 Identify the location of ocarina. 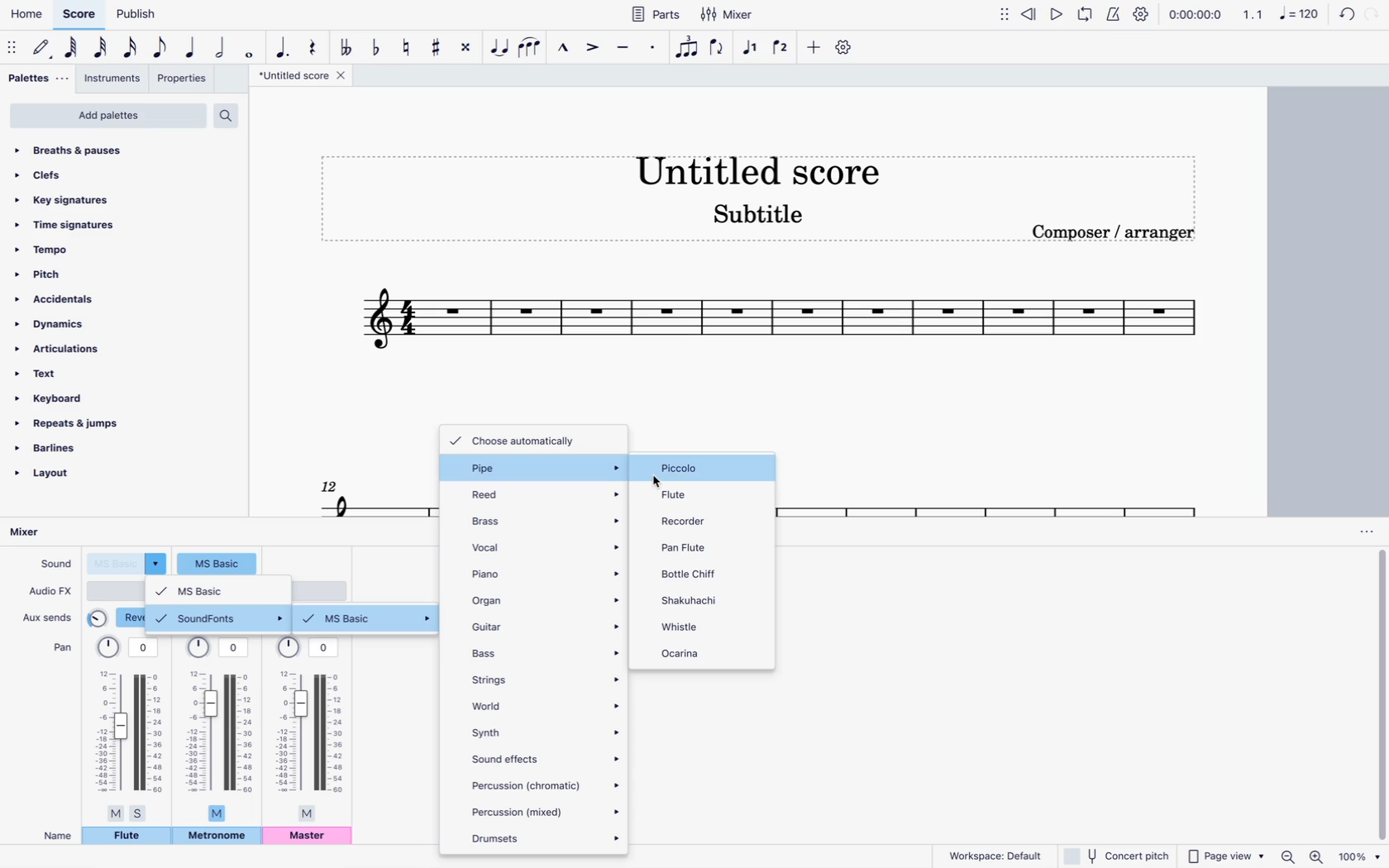
(685, 656).